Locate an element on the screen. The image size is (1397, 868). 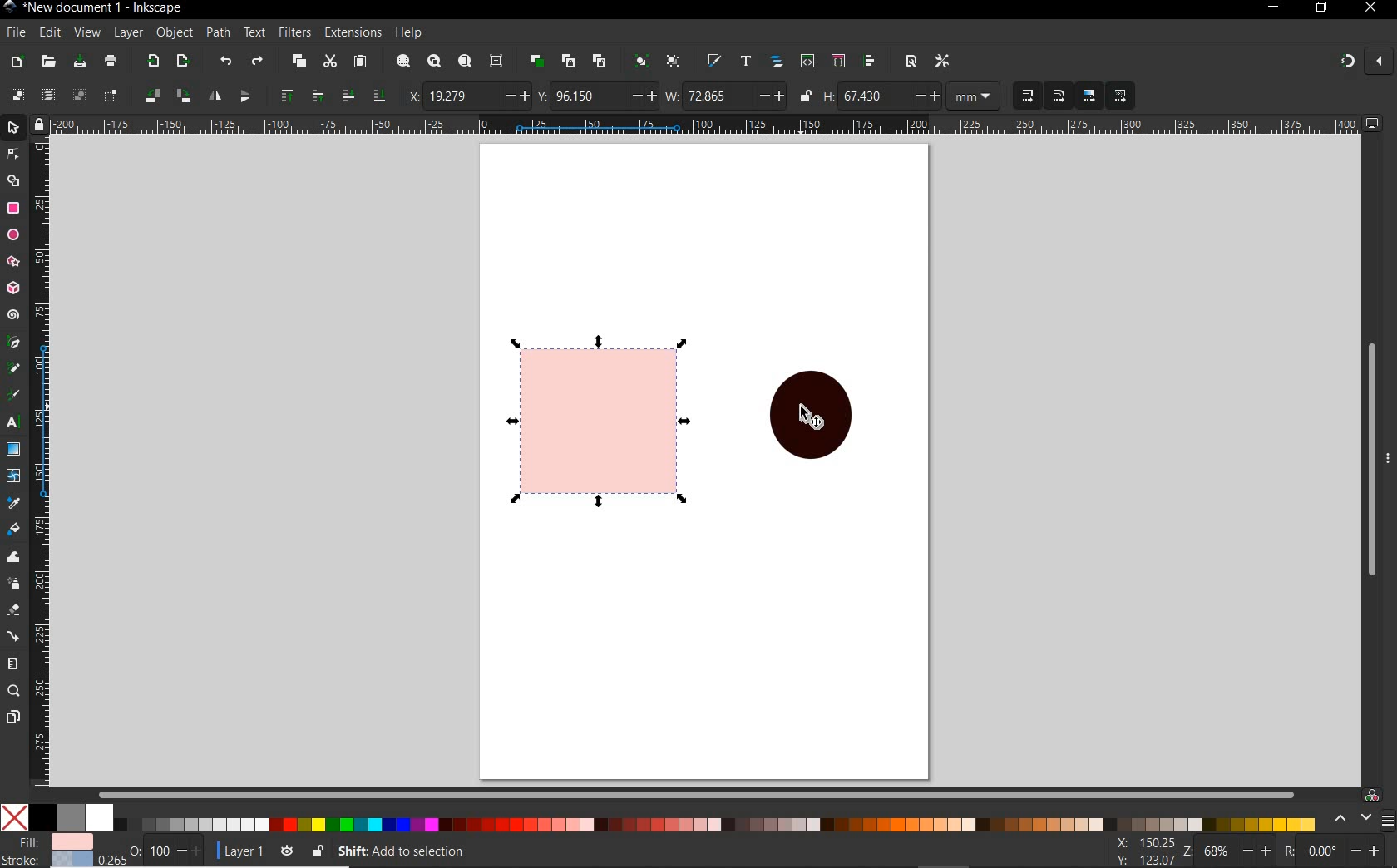
open export is located at coordinates (183, 61).